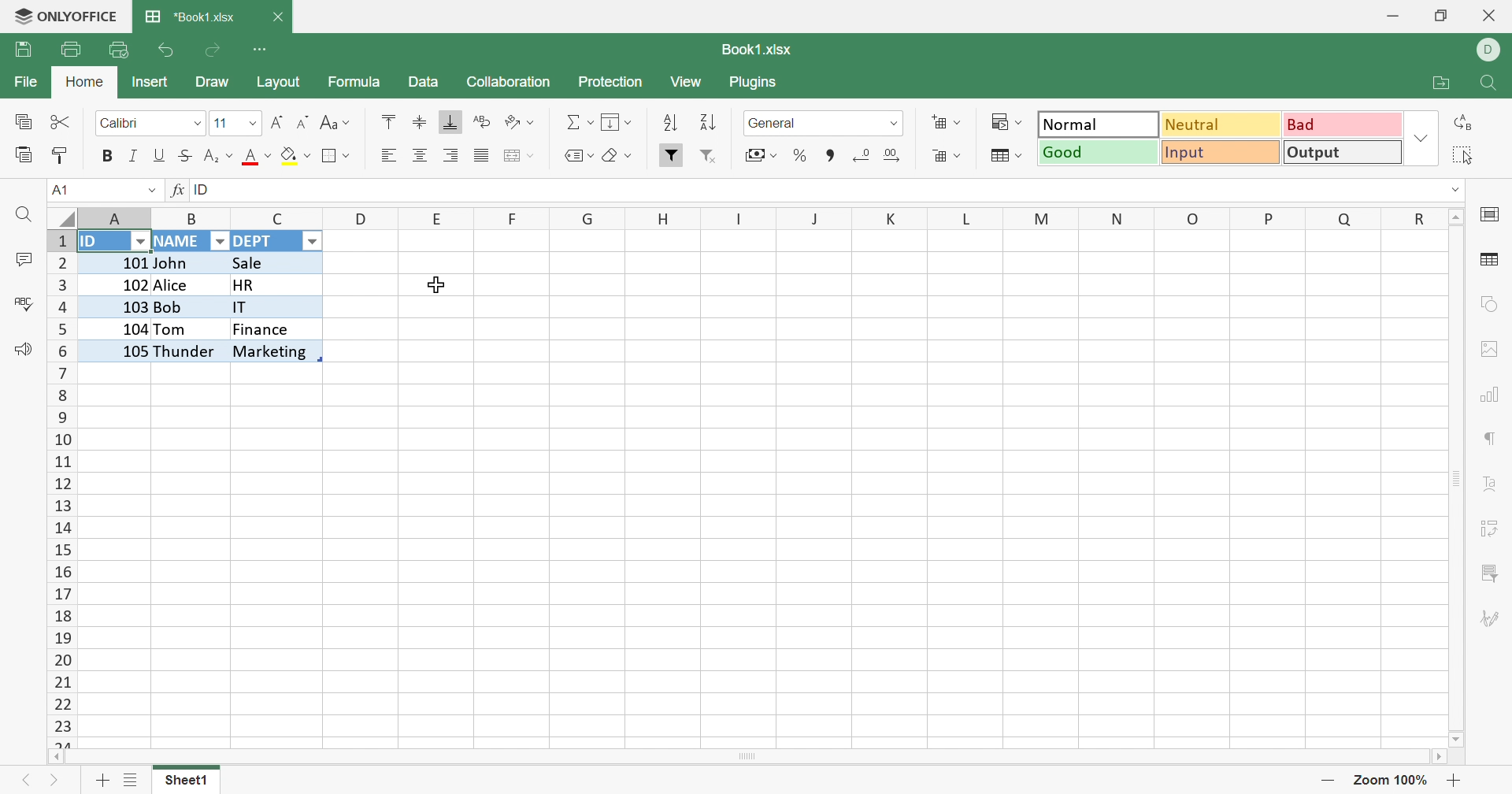  I want to click on Accounting, so click(759, 155).